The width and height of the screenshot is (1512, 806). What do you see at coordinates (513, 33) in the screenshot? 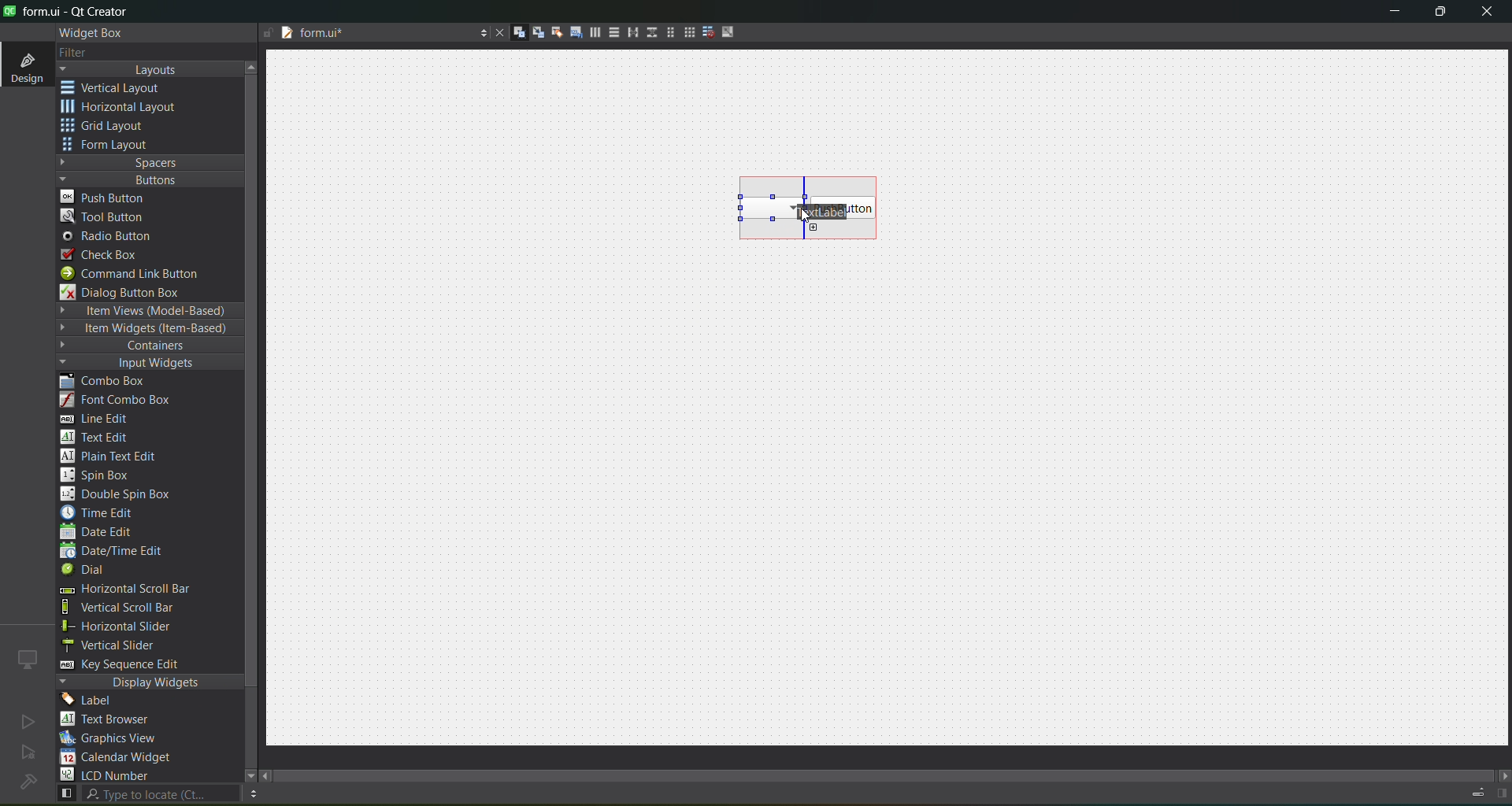
I see `edit widgets` at bounding box center [513, 33].